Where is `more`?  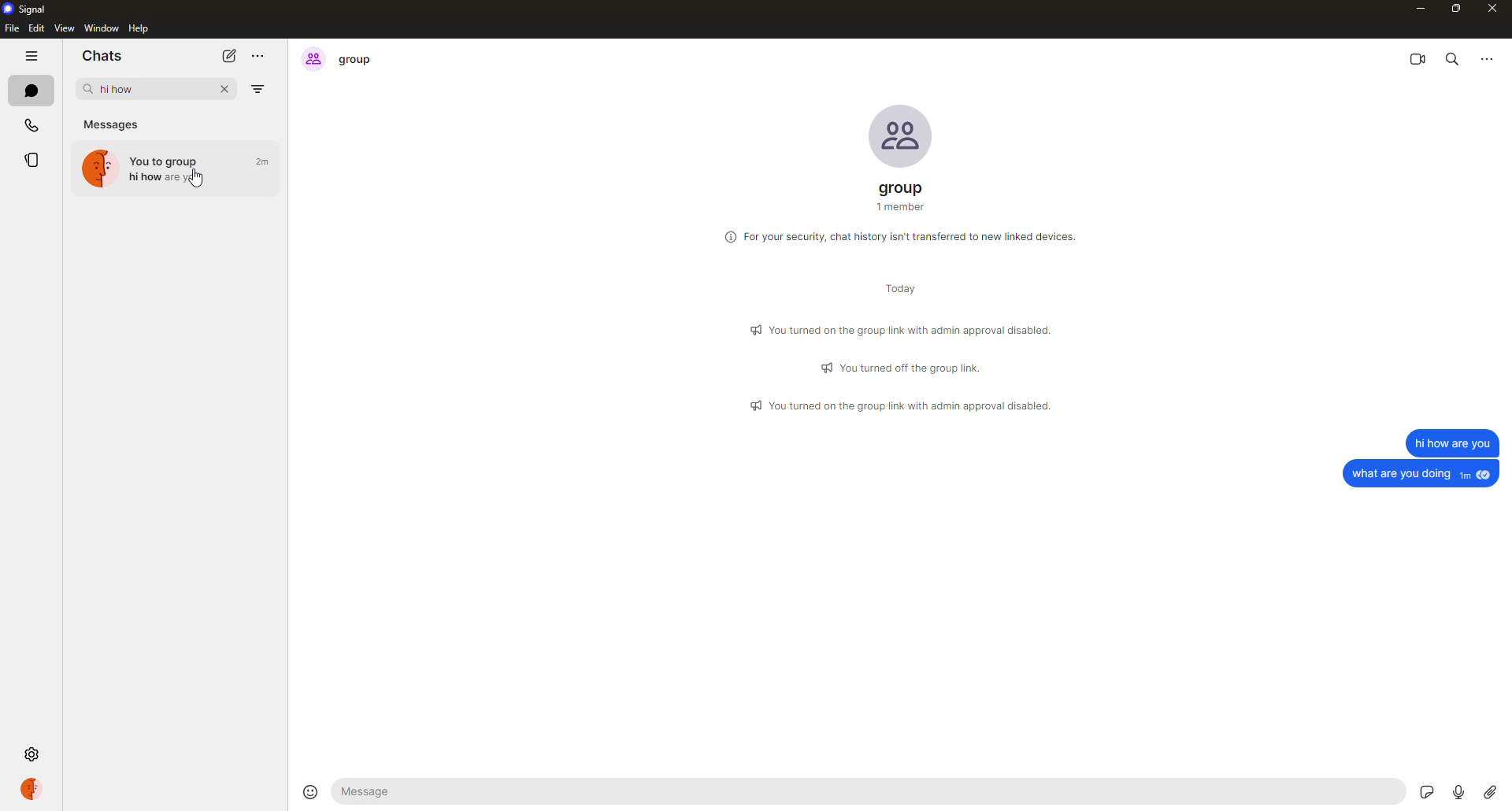
more is located at coordinates (1485, 57).